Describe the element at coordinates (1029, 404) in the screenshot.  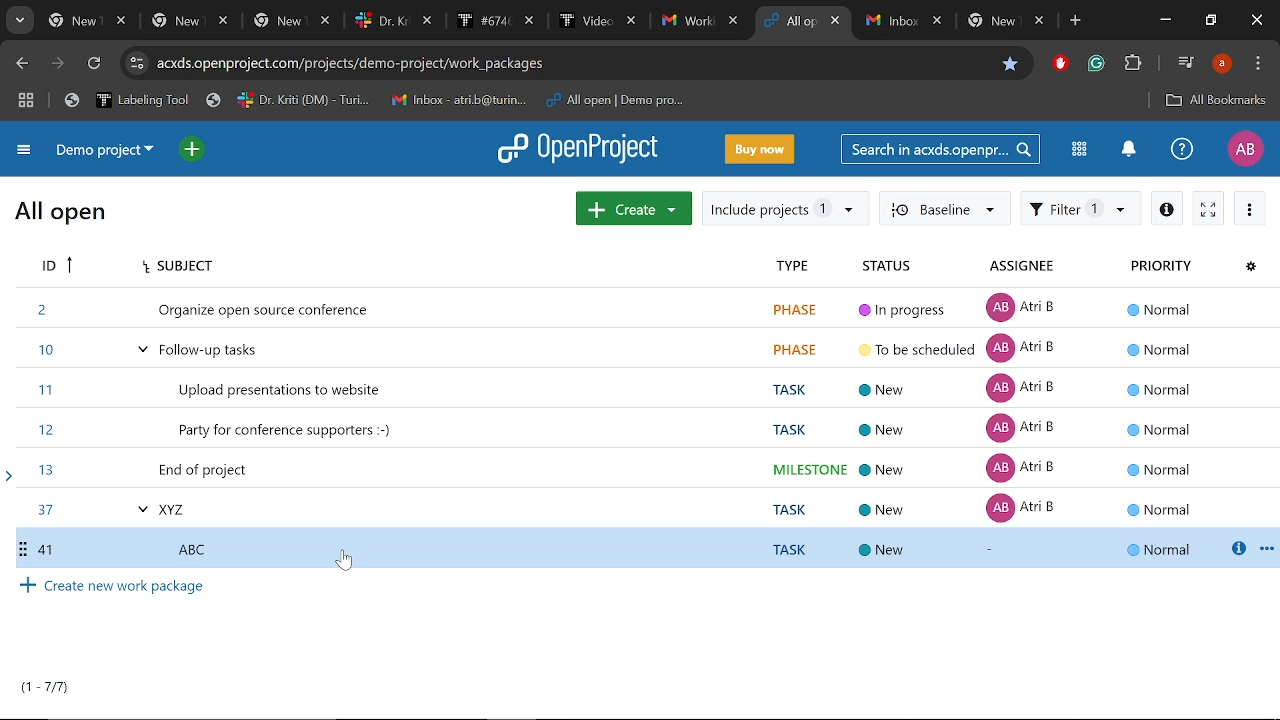
I see `assignee` at that location.